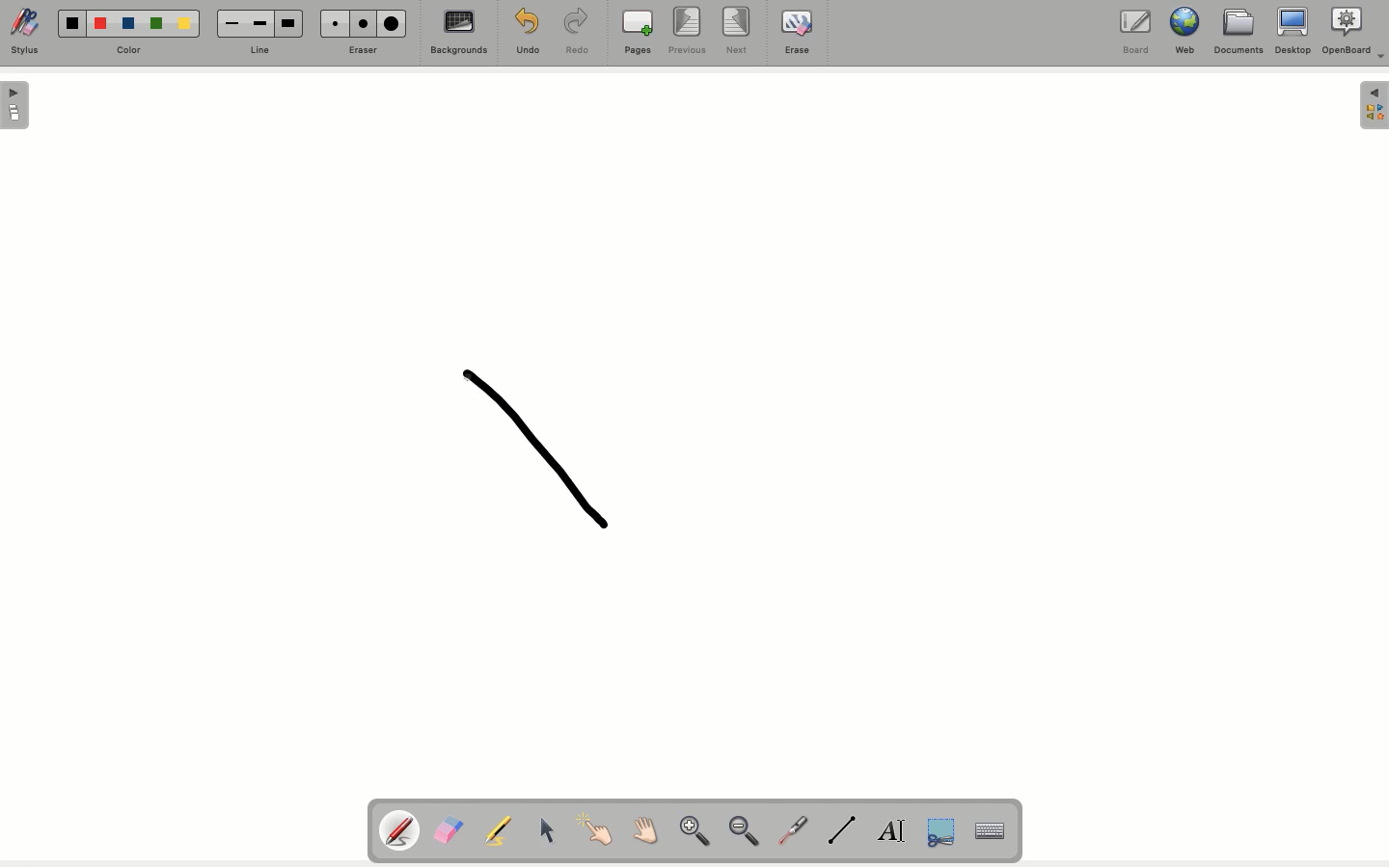 The width and height of the screenshot is (1389, 868). What do you see at coordinates (543, 456) in the screenshot?
I see `Shape draw` at bounding box center [543, 456].